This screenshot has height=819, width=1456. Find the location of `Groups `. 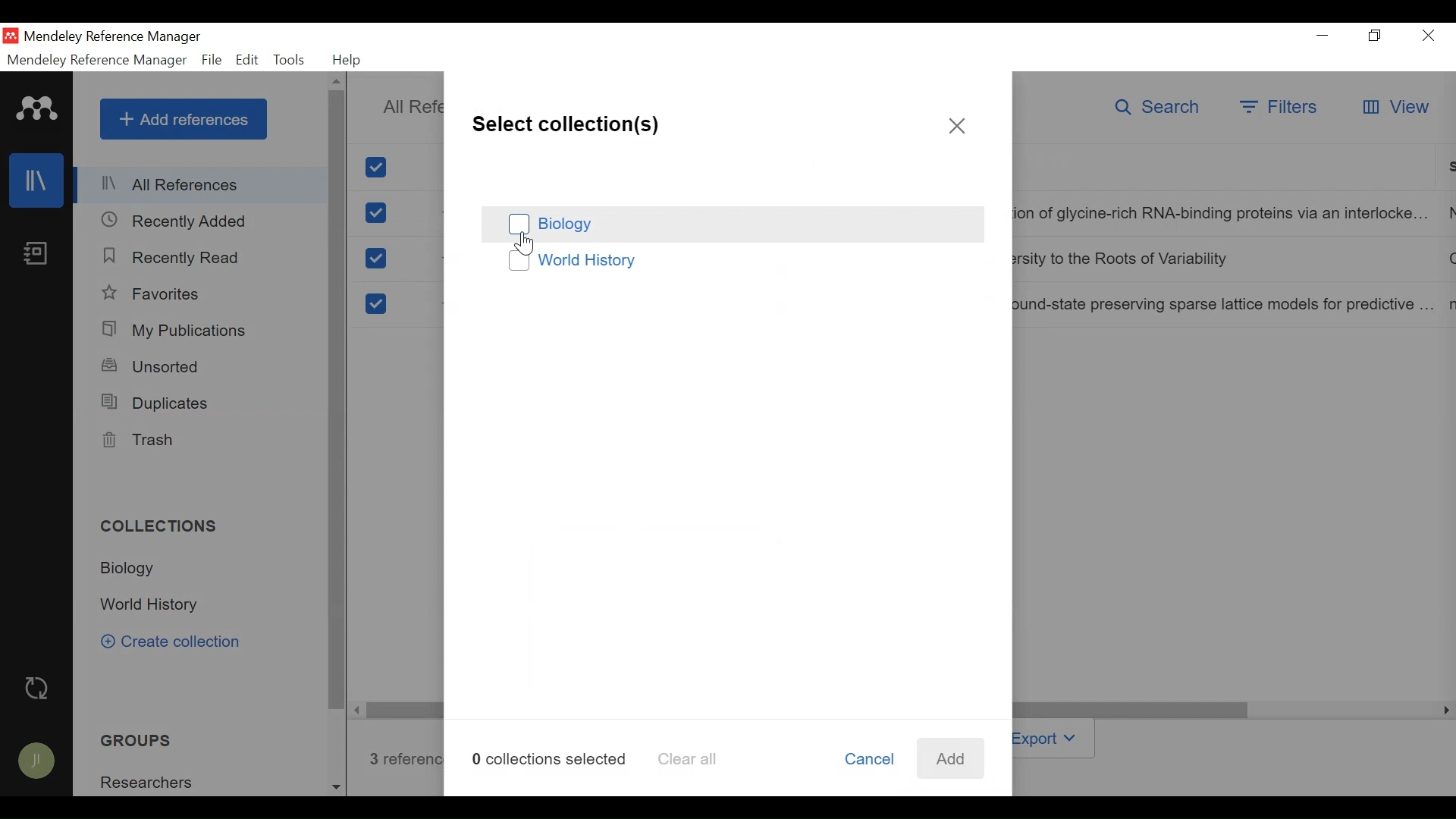

Groups  is located at coordinates (131, 741).